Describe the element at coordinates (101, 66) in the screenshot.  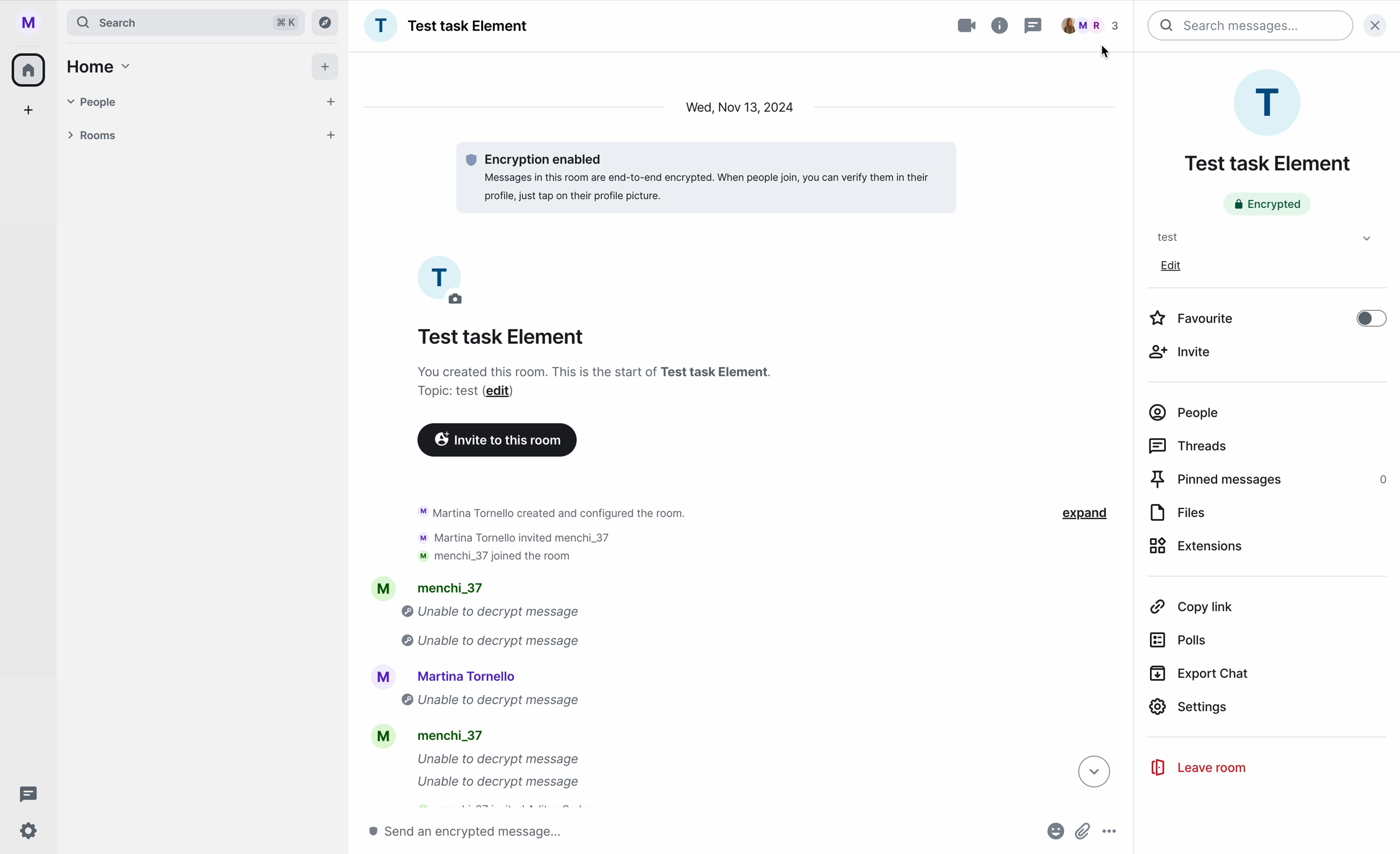
I see `home` at that location.